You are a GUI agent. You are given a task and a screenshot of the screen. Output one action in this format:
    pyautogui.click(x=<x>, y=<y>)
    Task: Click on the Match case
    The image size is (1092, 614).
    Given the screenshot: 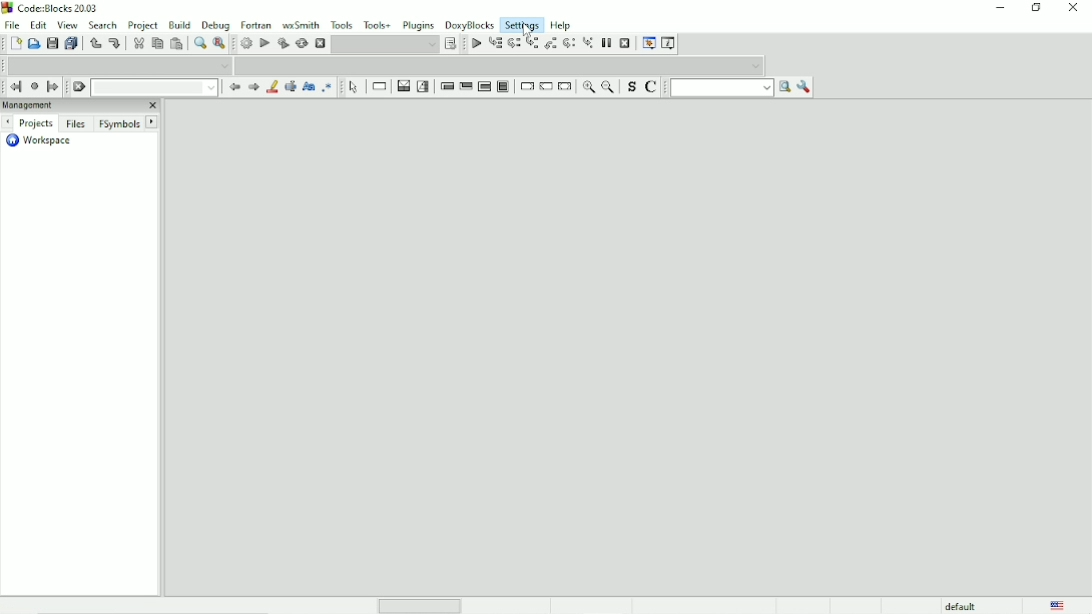 What is the action you would take?
    pyautogui.click(x=308, y=87)
    